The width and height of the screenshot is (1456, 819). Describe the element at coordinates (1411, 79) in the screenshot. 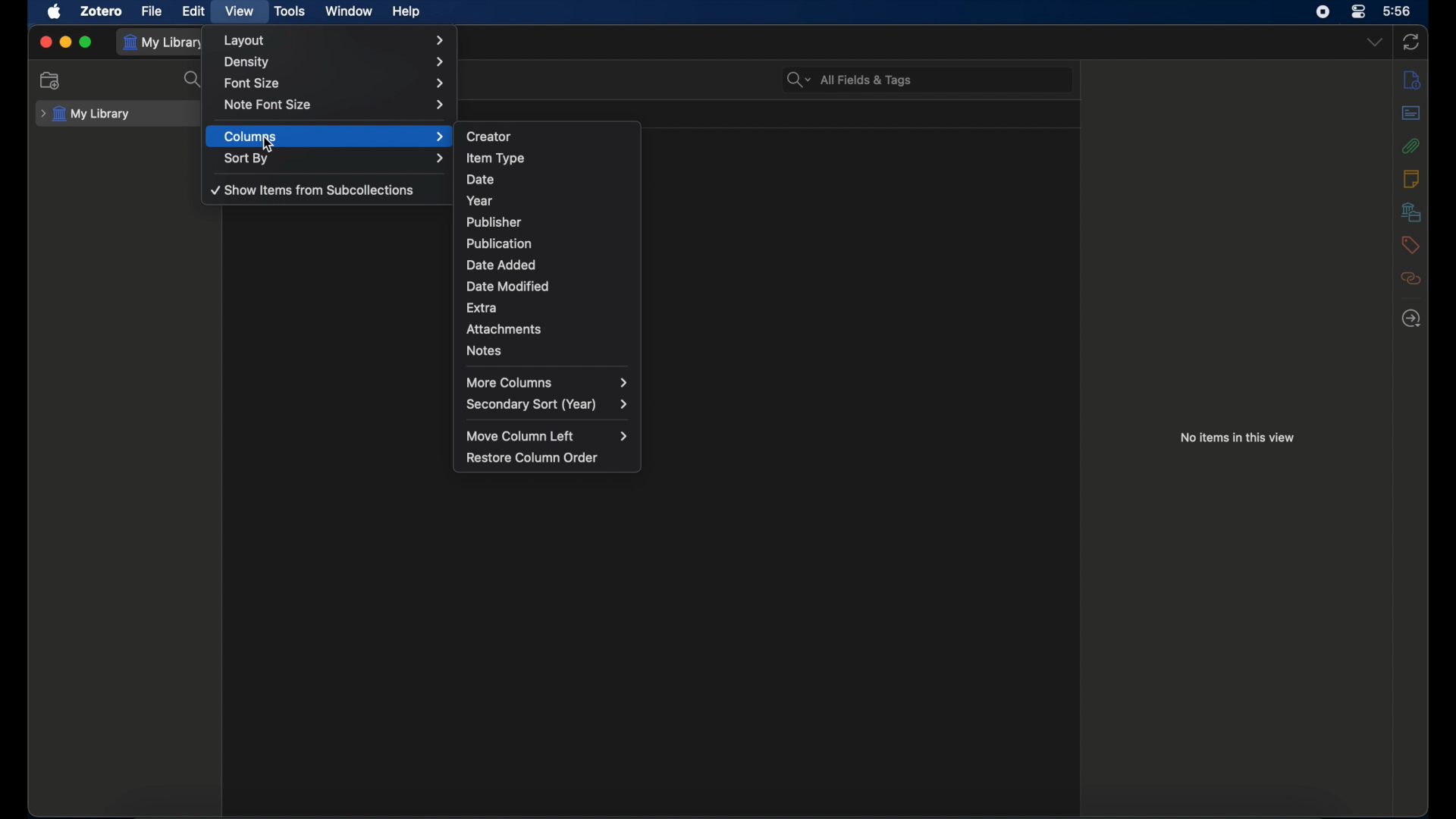

I see `info` at that location.